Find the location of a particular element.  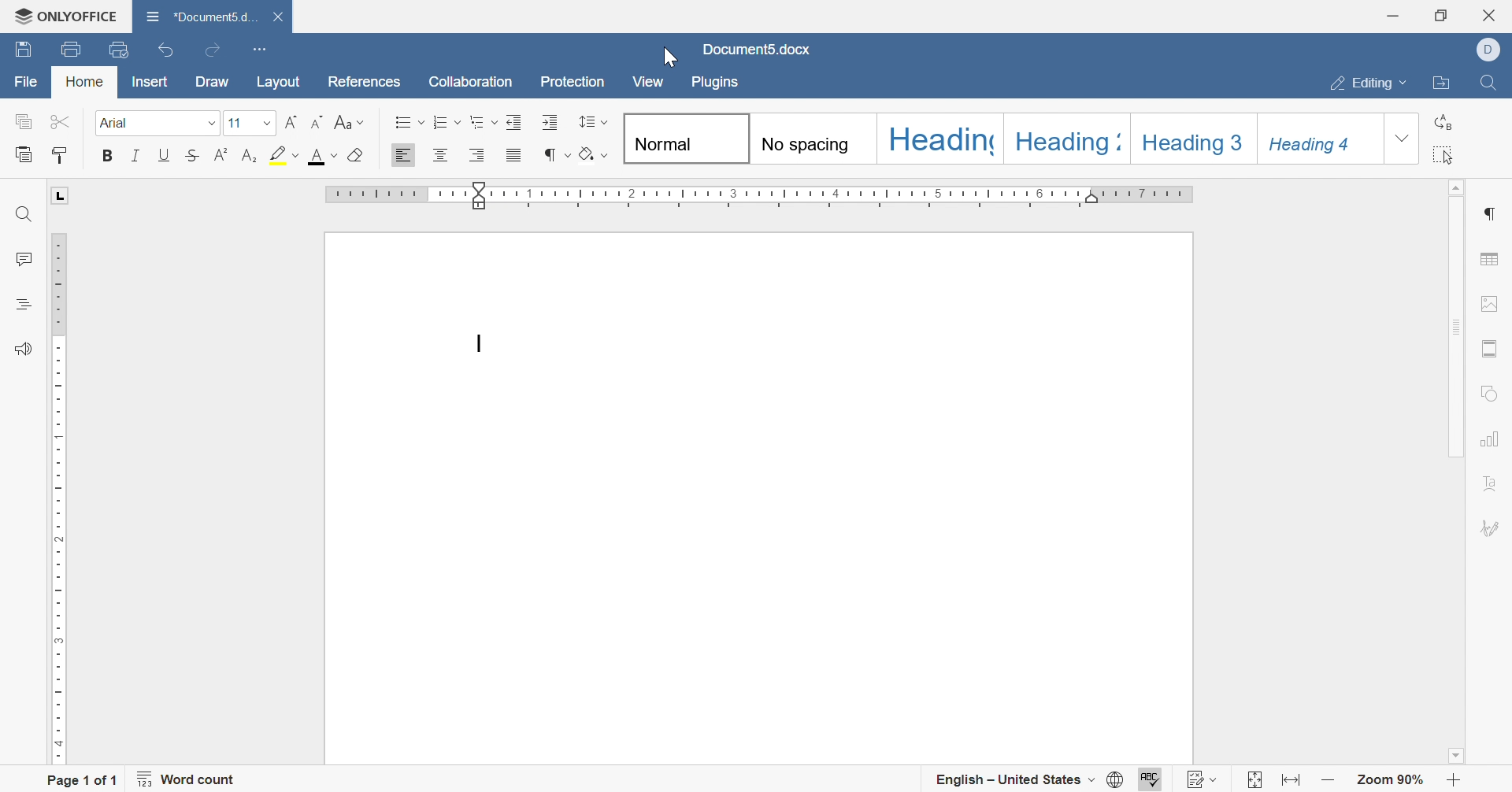

page 1 of 1 is located at coordinates (83, 779).